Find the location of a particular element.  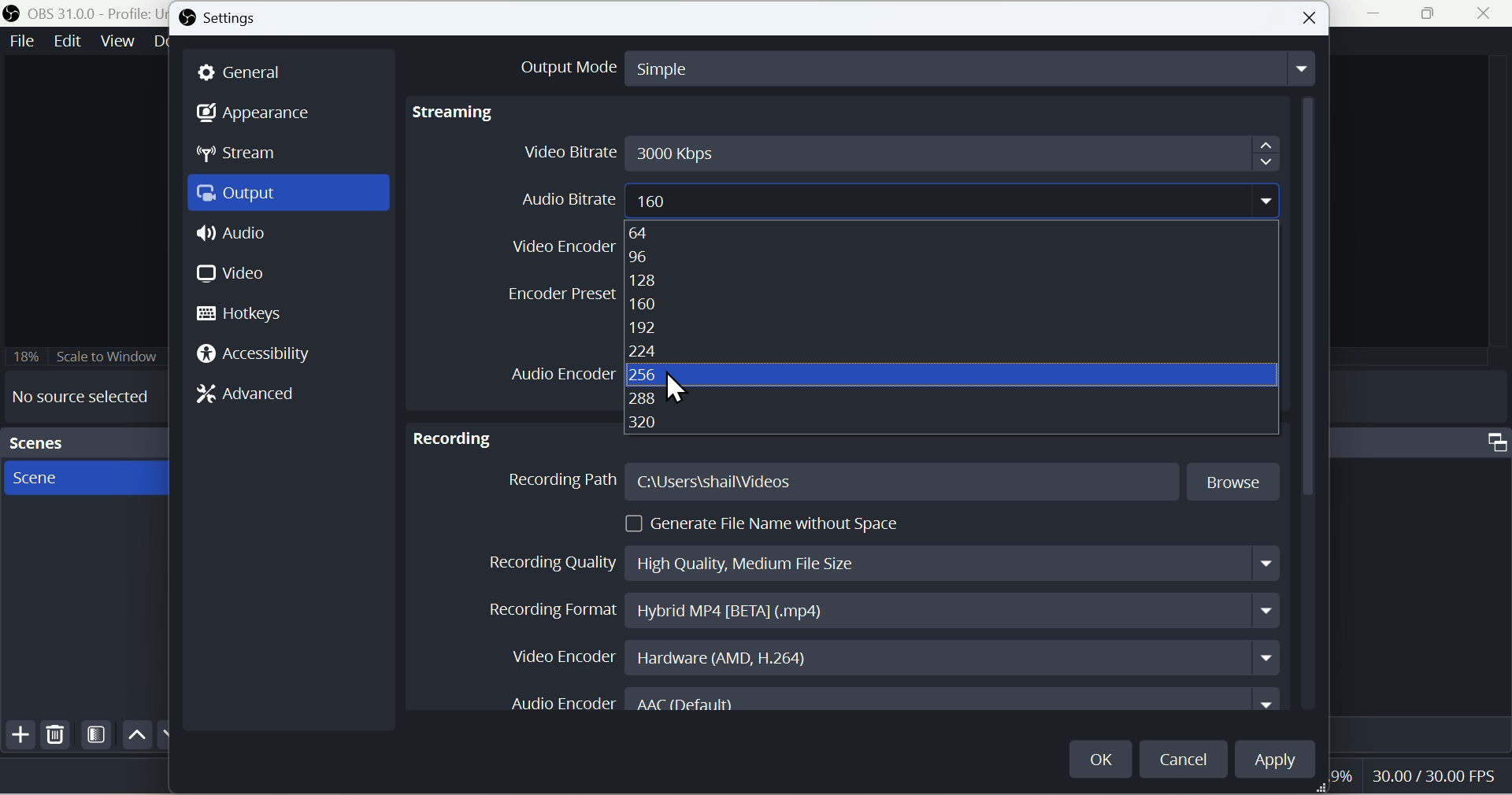

View is located at coordinates (117, 42).